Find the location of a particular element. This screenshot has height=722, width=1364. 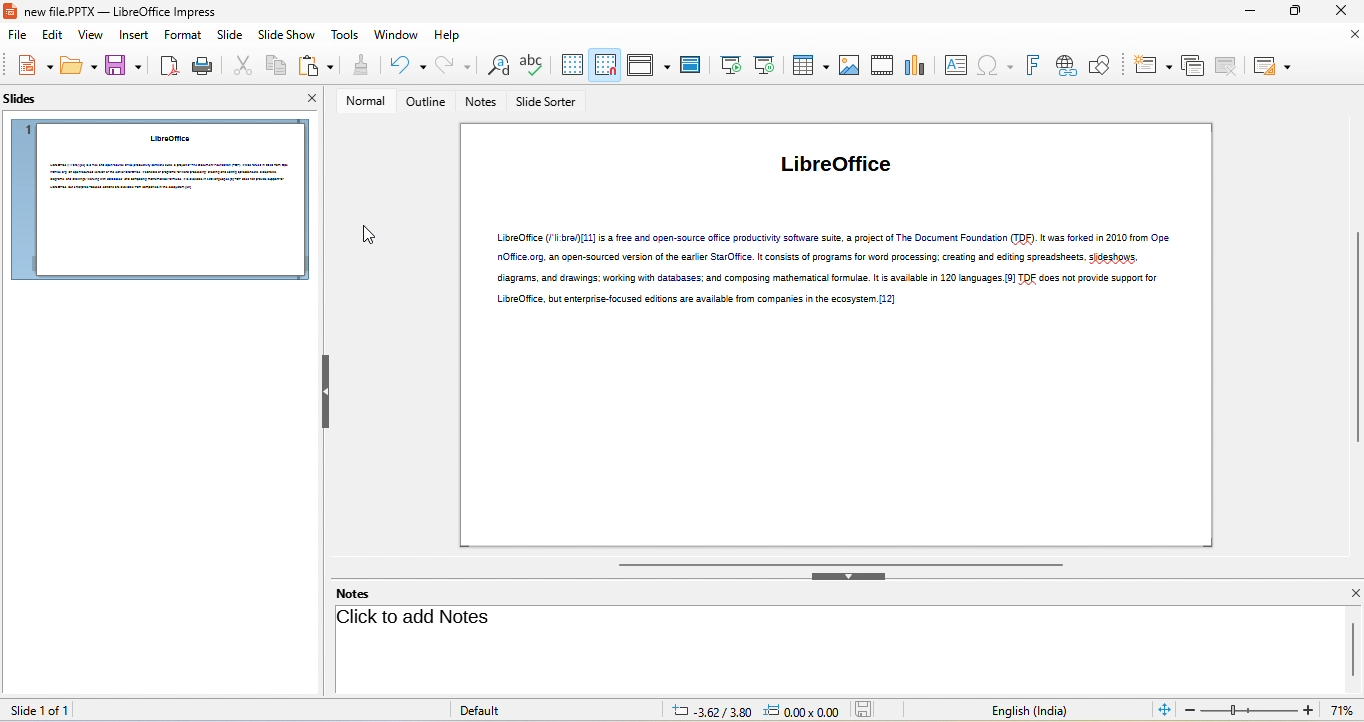

start from first slide is located at coordinates (729, 67).